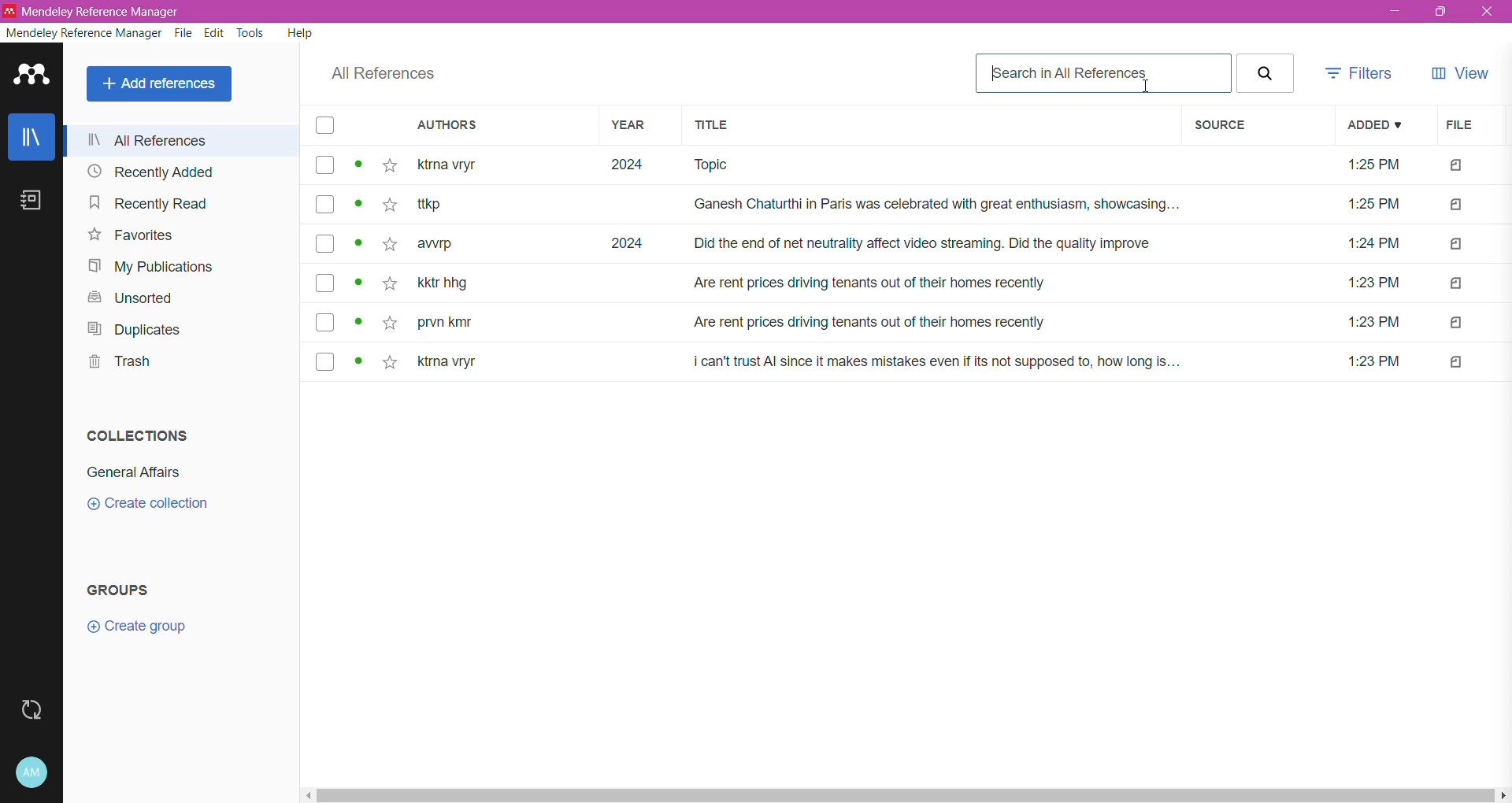 This screenshot has width=1512, height=803. I want to click on Mendeley Reference Manager, so click(96, 12).